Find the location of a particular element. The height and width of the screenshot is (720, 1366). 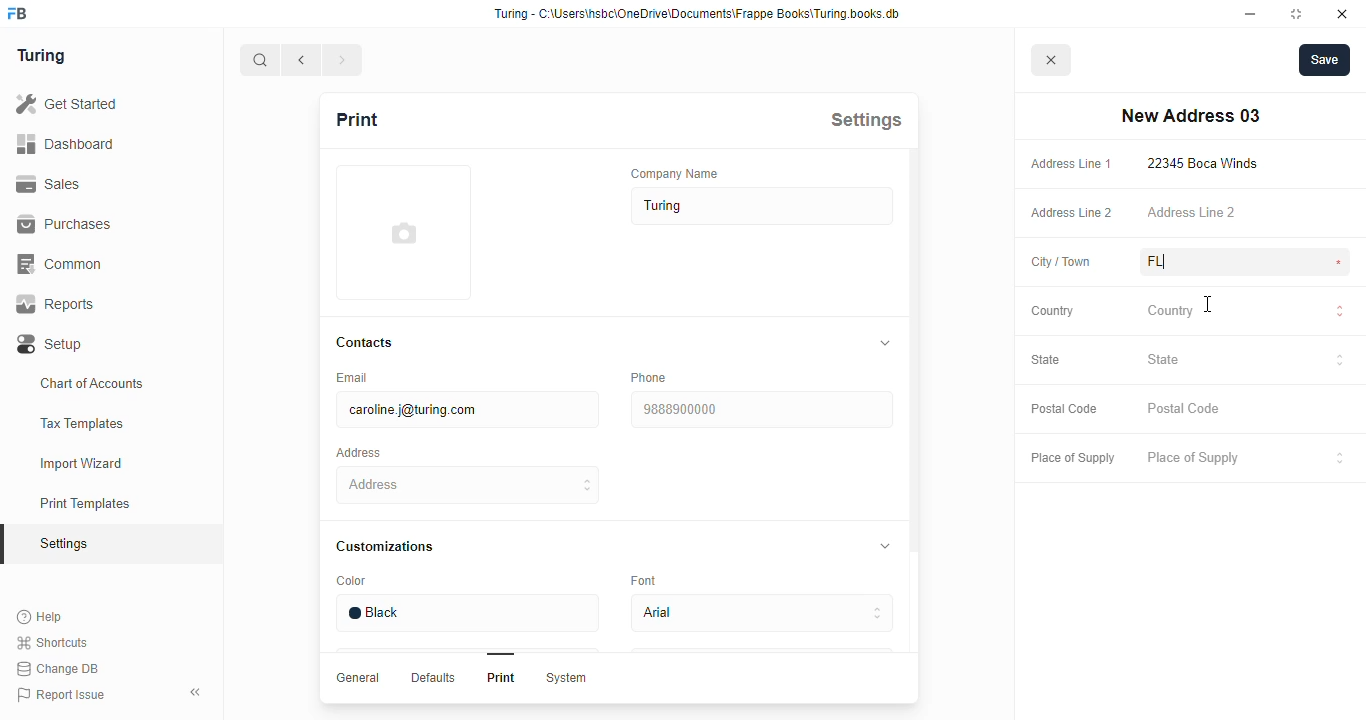

toggle sidebar is located at coordinates (198, 691).